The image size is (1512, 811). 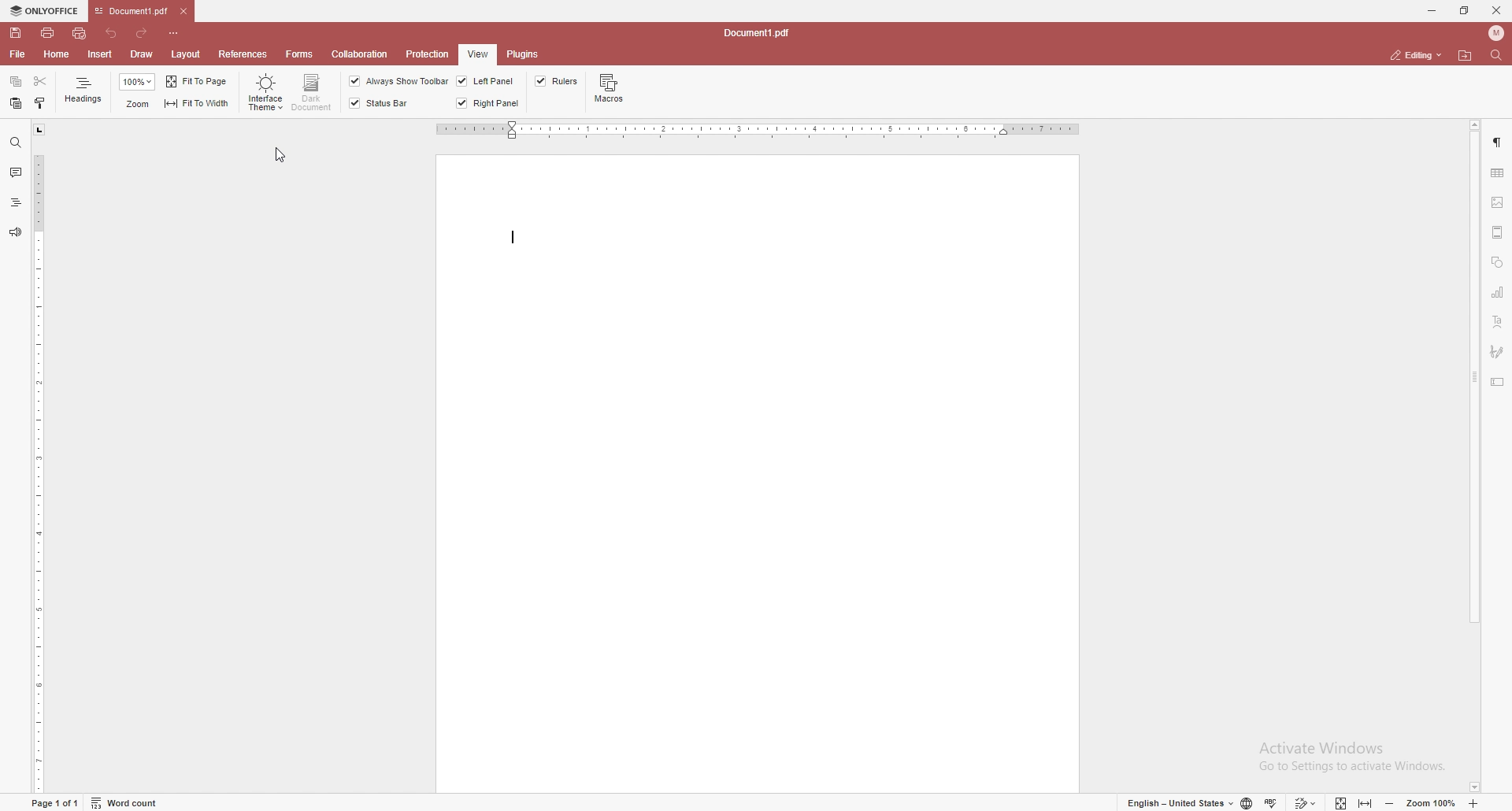 What do you see at coordinates (526, 54) in the screenshot?
I see `plugins` at bounding box center [526, 54].